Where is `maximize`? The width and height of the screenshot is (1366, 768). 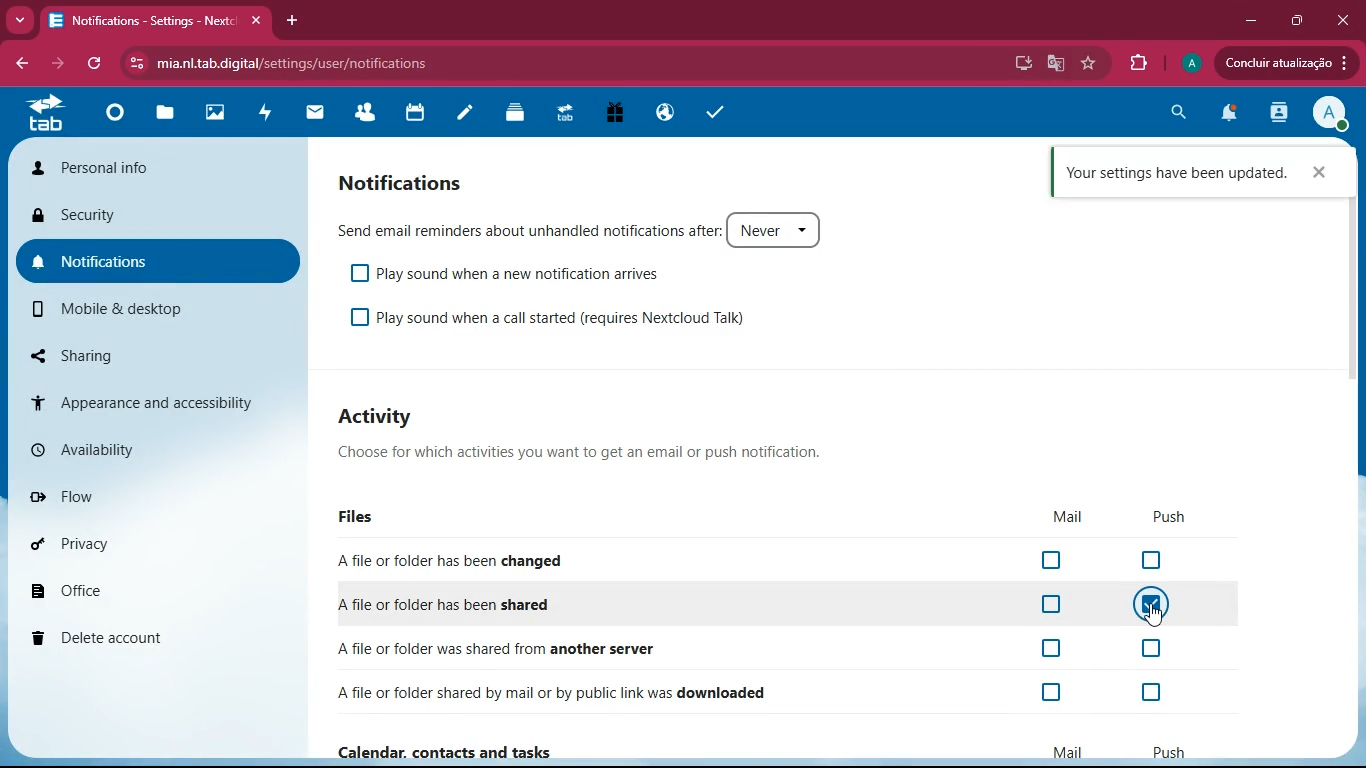 maximize is located at coordinates (1296, 21).